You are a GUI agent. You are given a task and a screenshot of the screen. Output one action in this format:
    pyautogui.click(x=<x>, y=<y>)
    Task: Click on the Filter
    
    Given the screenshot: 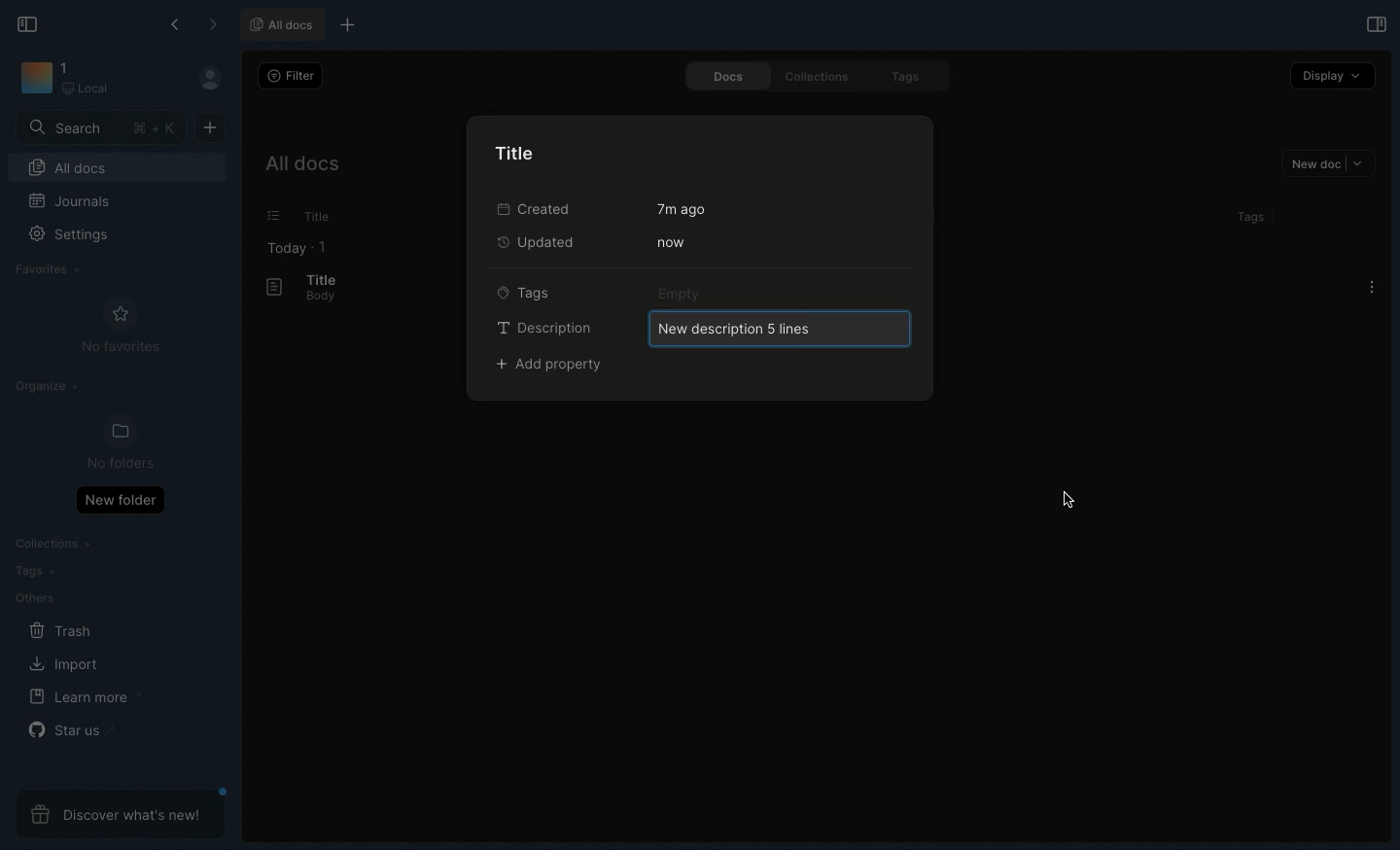 What is the action you would take?
    pyautogui.click(x=288, y=75)
    